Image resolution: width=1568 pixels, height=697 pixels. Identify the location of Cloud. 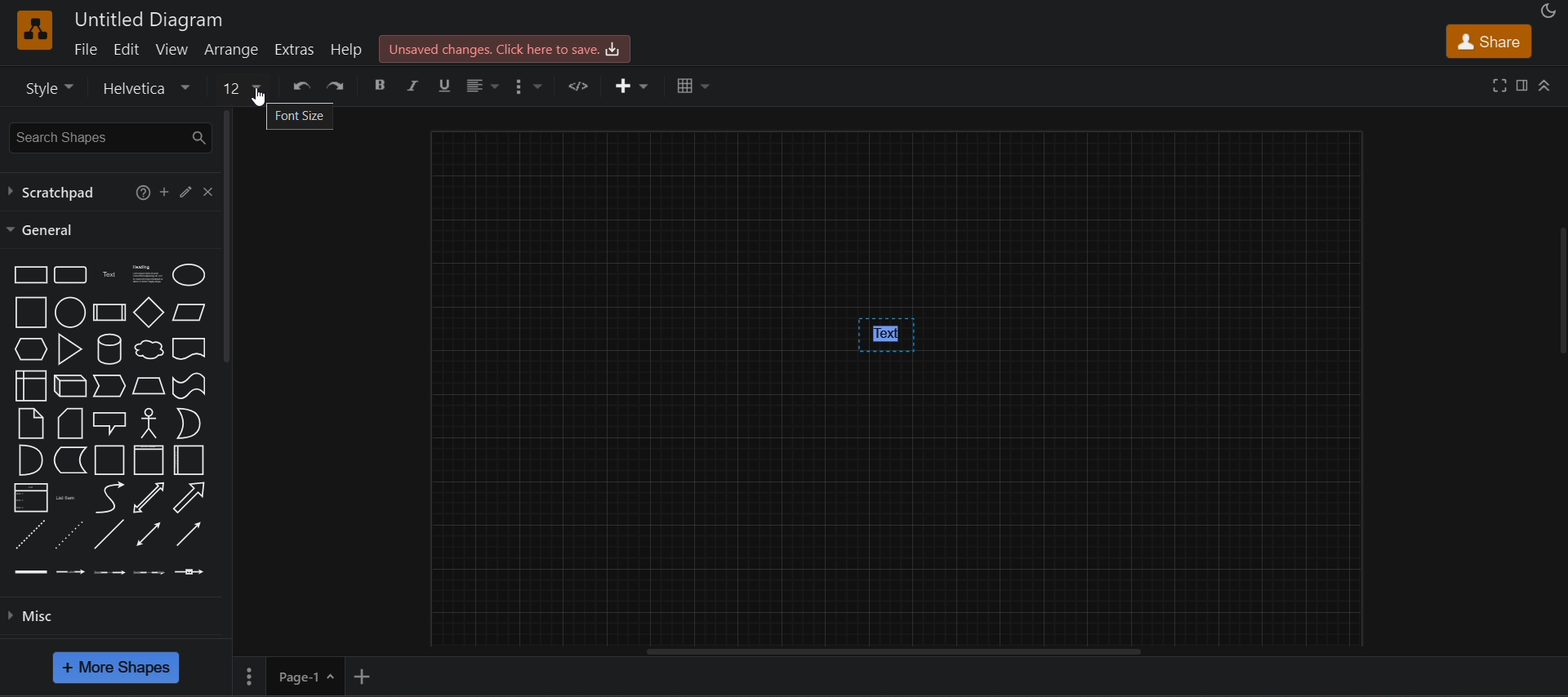
(149, 349).